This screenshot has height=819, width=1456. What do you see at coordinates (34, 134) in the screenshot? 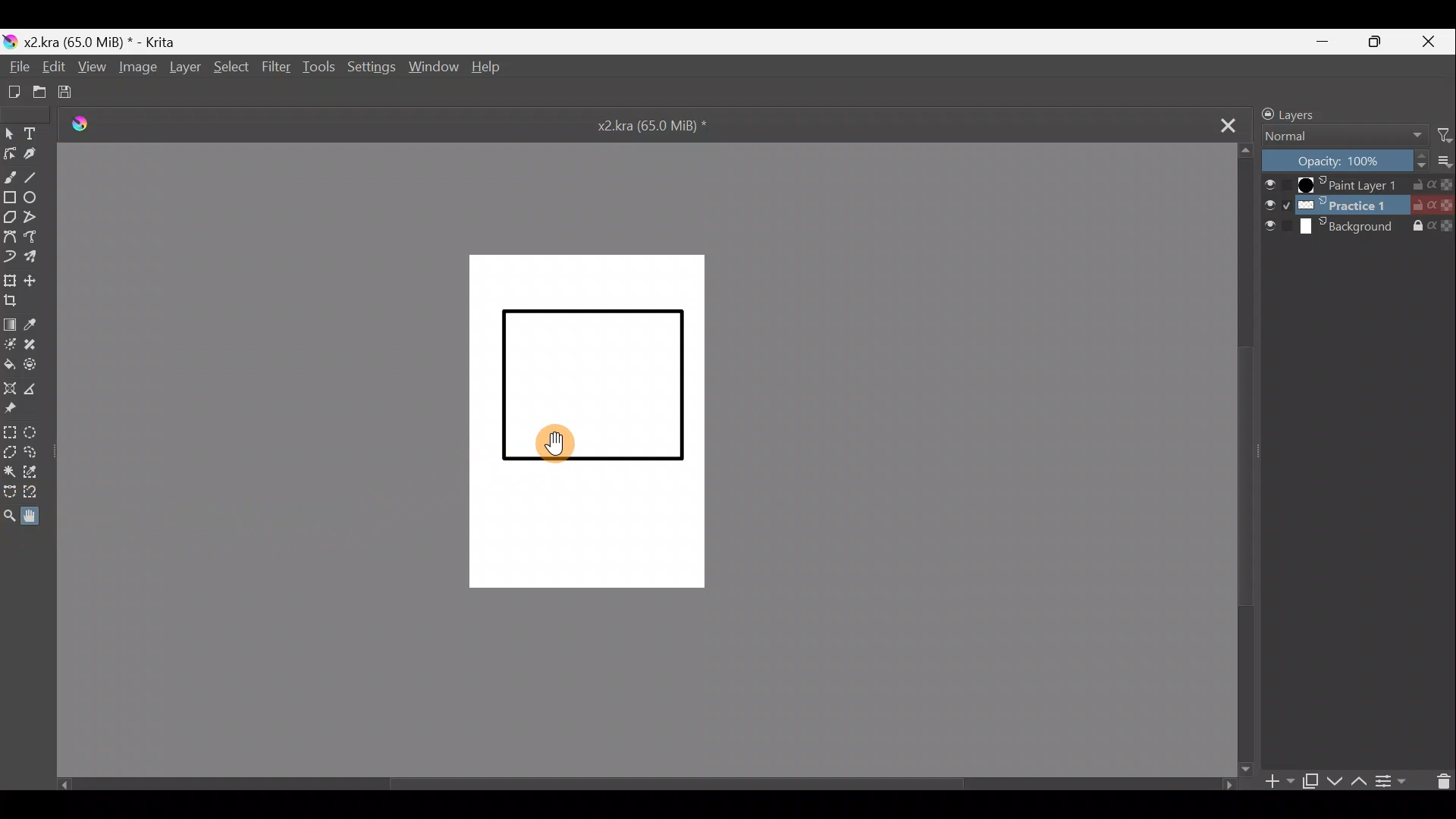
I see `Text tool` at bounding box center [34, 134].